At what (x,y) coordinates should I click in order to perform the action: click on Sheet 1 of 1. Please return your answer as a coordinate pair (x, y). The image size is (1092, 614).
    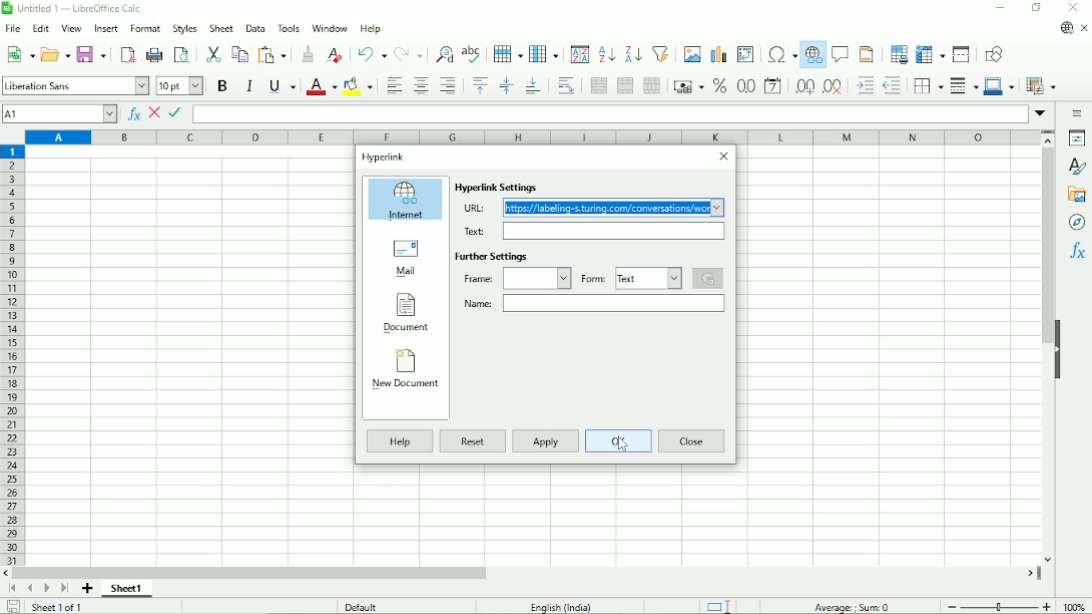
    Looking at the image, I should click on (55, 607).